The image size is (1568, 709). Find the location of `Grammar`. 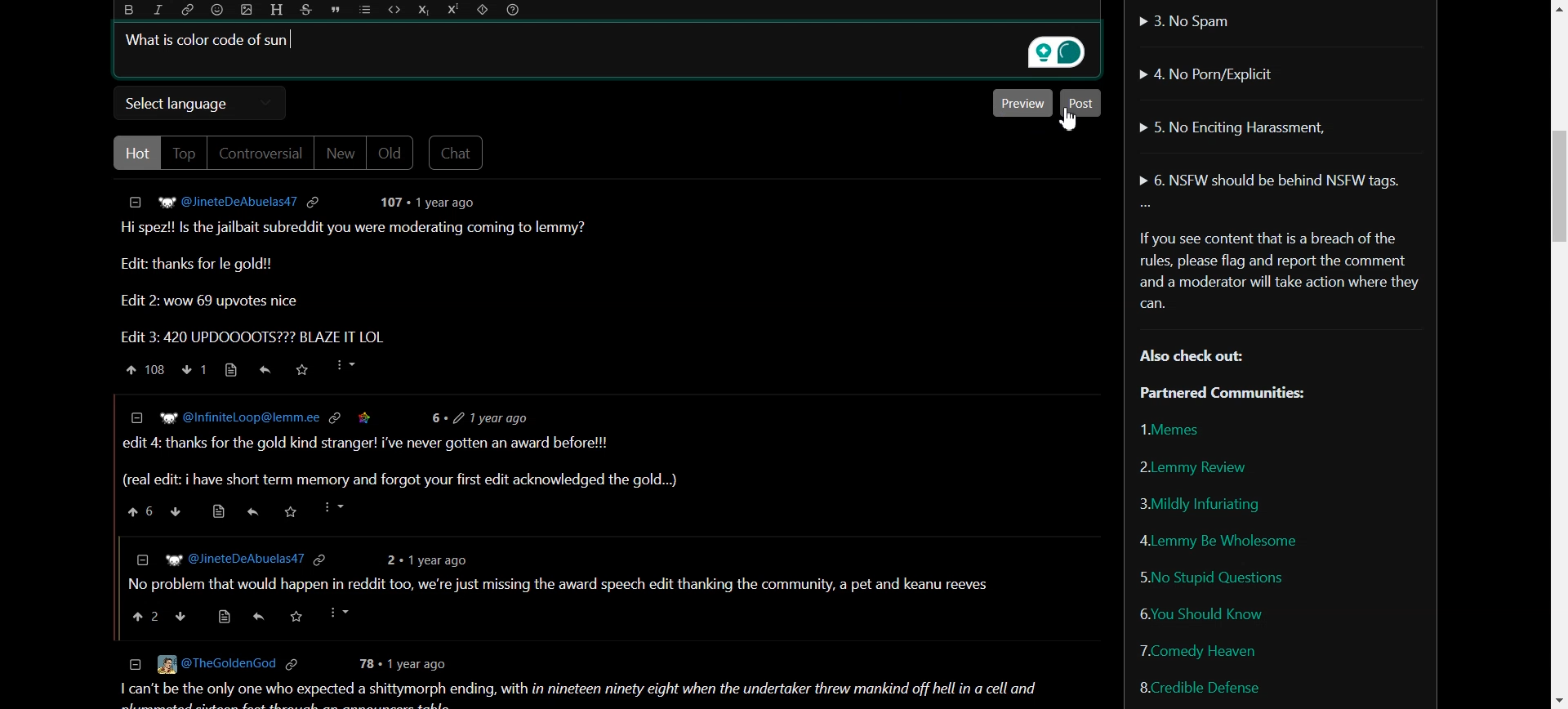

Grammar is located at coordinates (1053, 50).